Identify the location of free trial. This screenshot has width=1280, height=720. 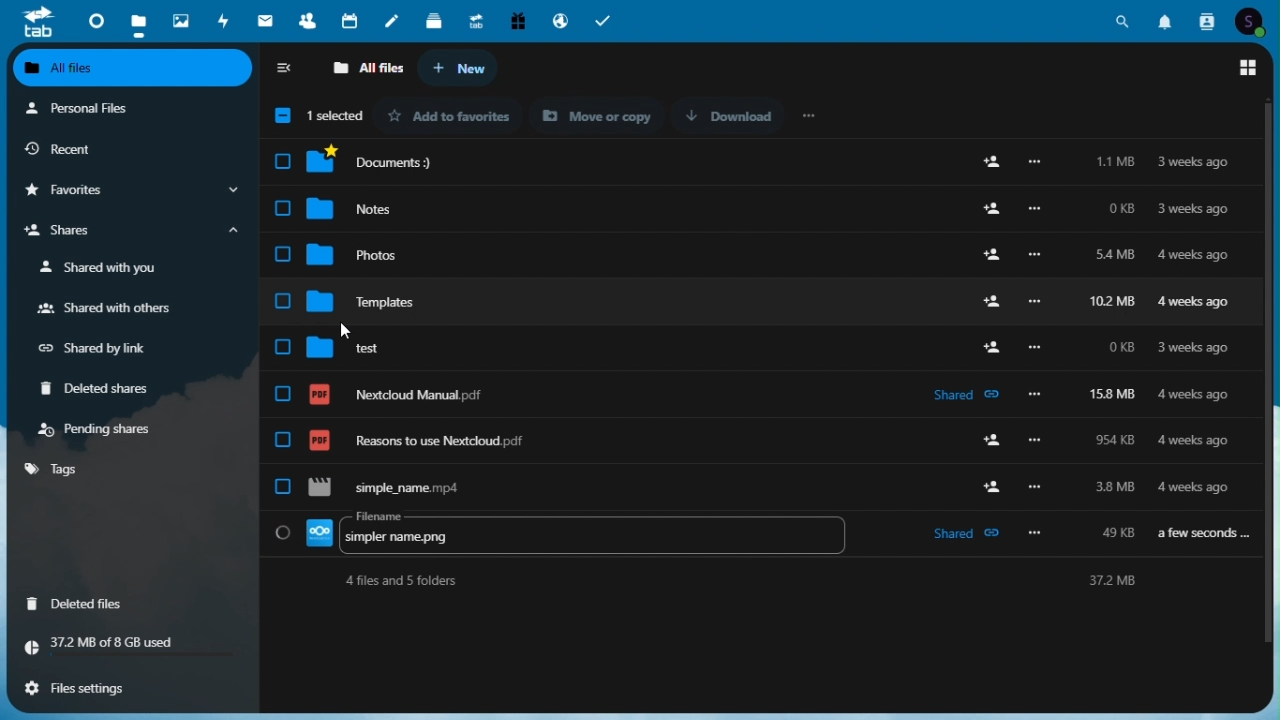
(516, 19).